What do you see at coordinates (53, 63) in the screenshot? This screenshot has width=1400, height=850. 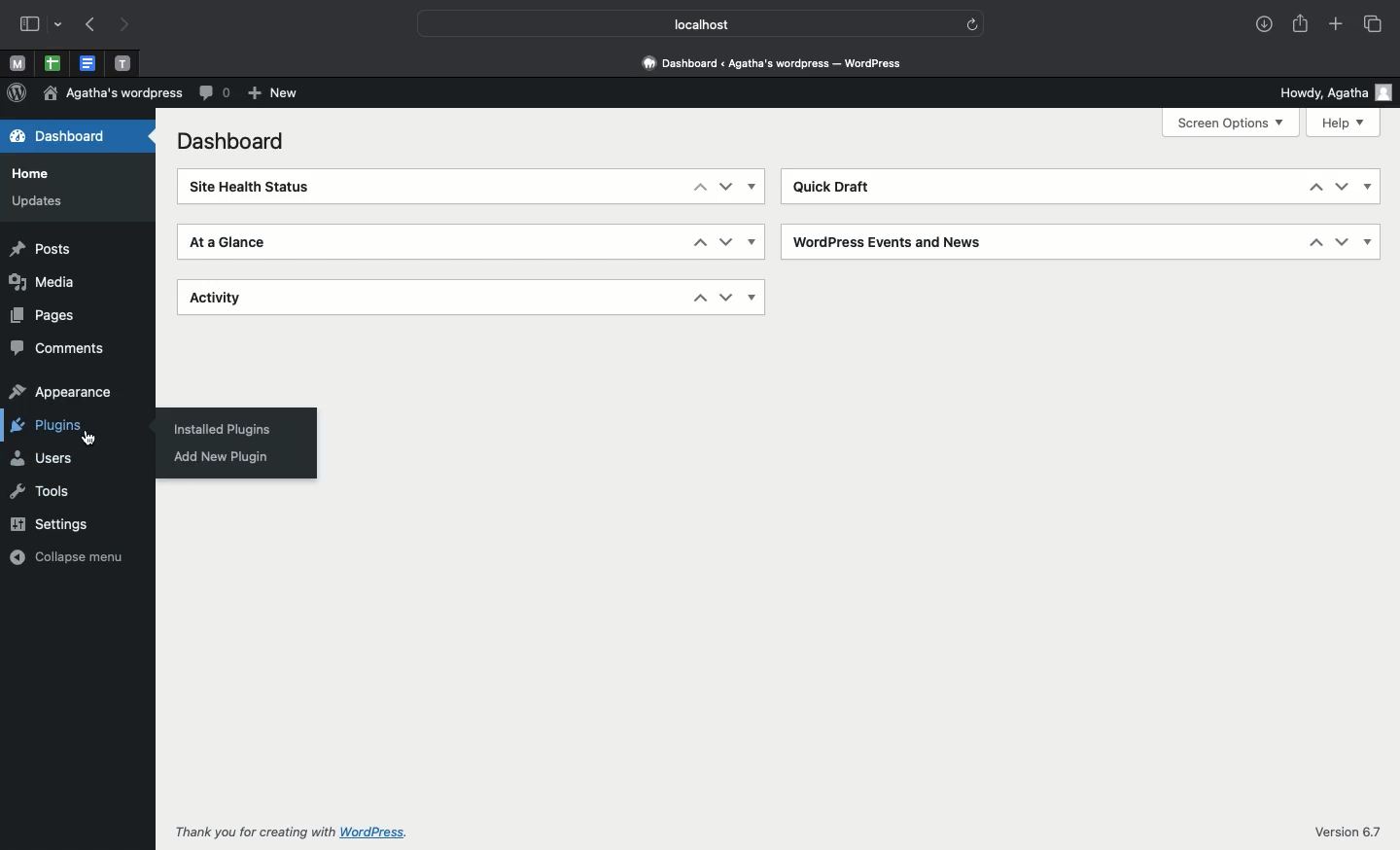 I see `pinned tabs` at bounding box center [53, 63].